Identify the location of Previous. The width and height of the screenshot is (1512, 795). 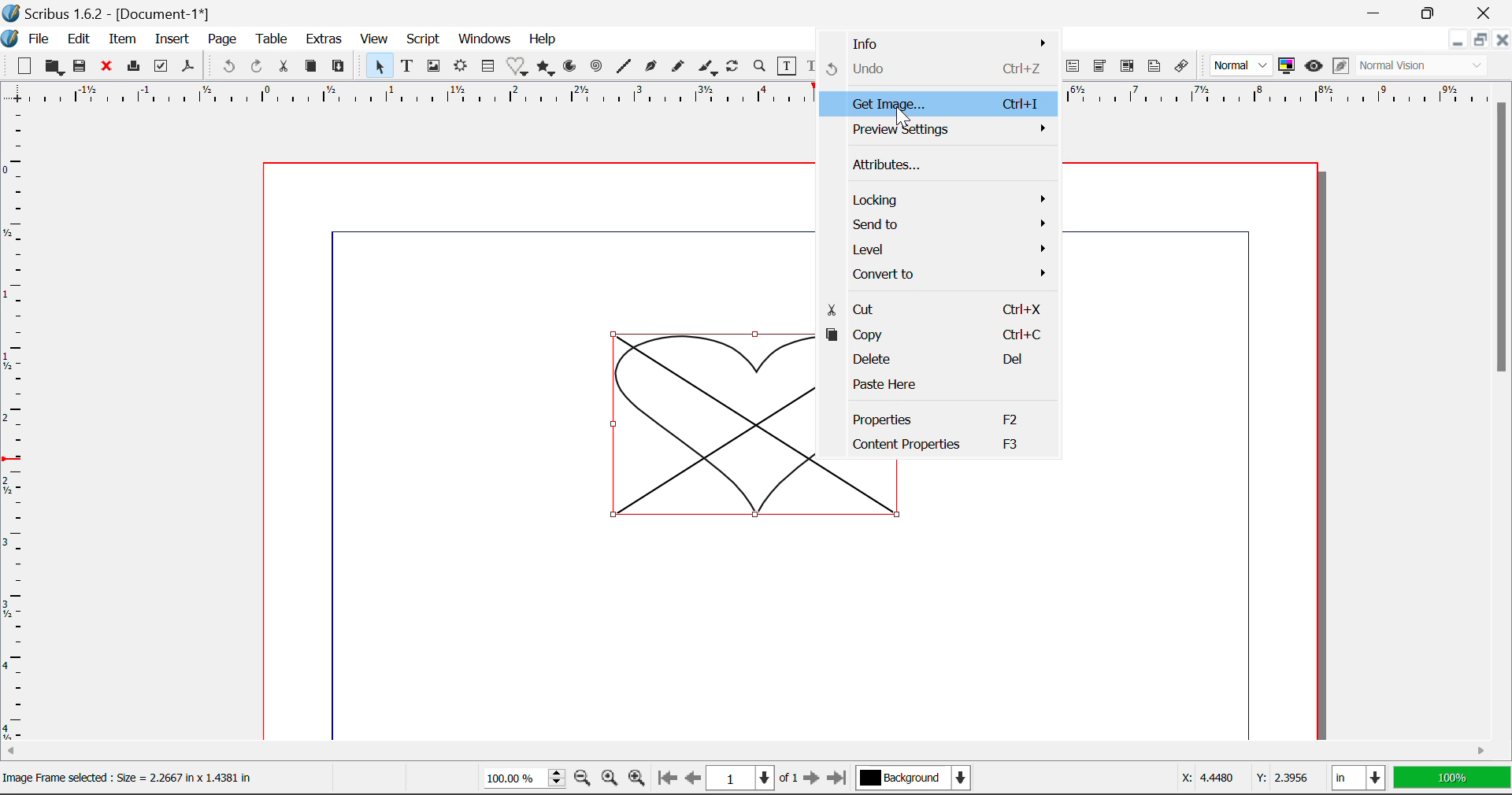
(694, 779).